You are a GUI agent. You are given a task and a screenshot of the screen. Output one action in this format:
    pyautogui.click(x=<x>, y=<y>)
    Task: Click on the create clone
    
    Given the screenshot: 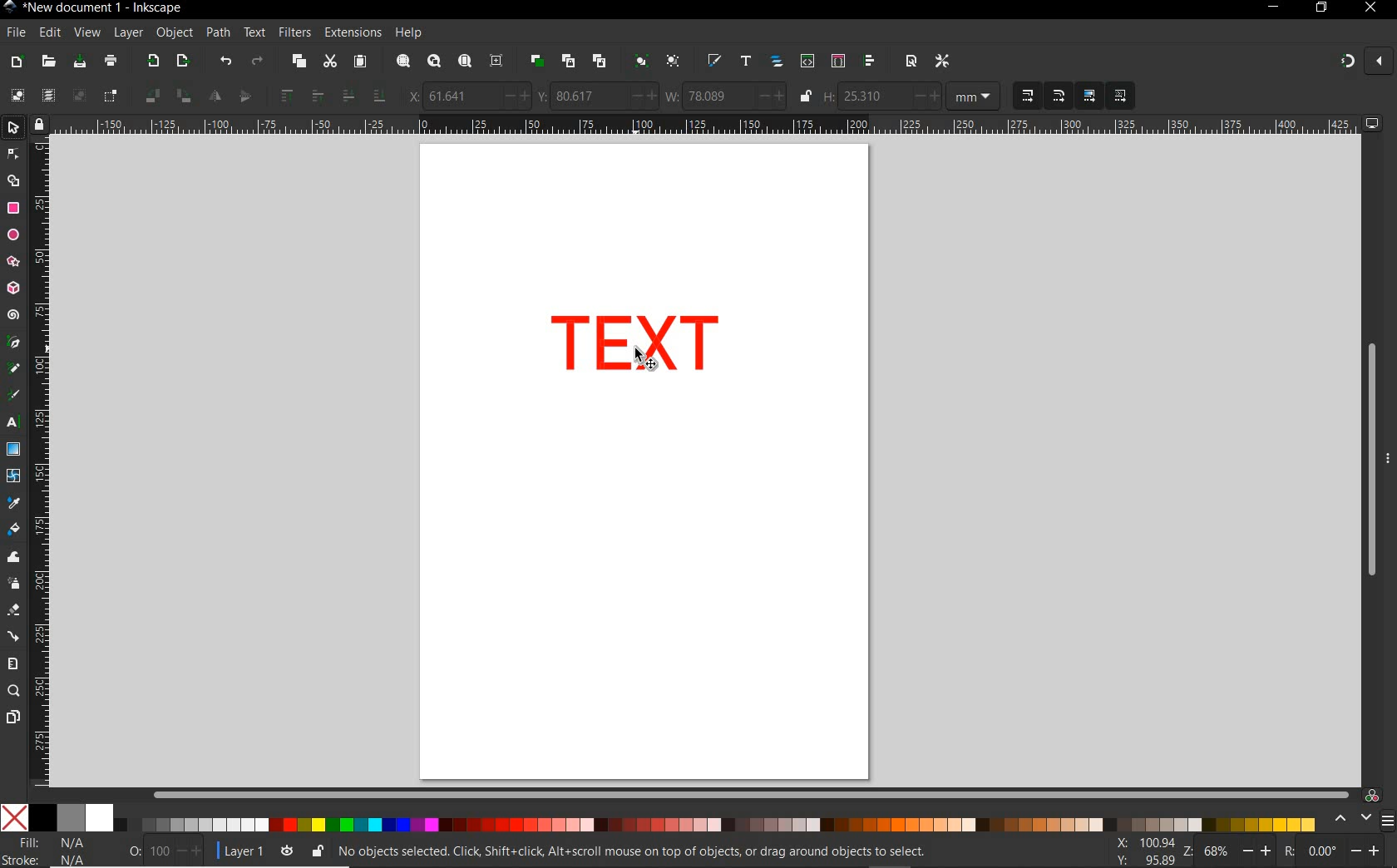 What is the action you would take?
    pyautogui.click(x=567, y=62)
    